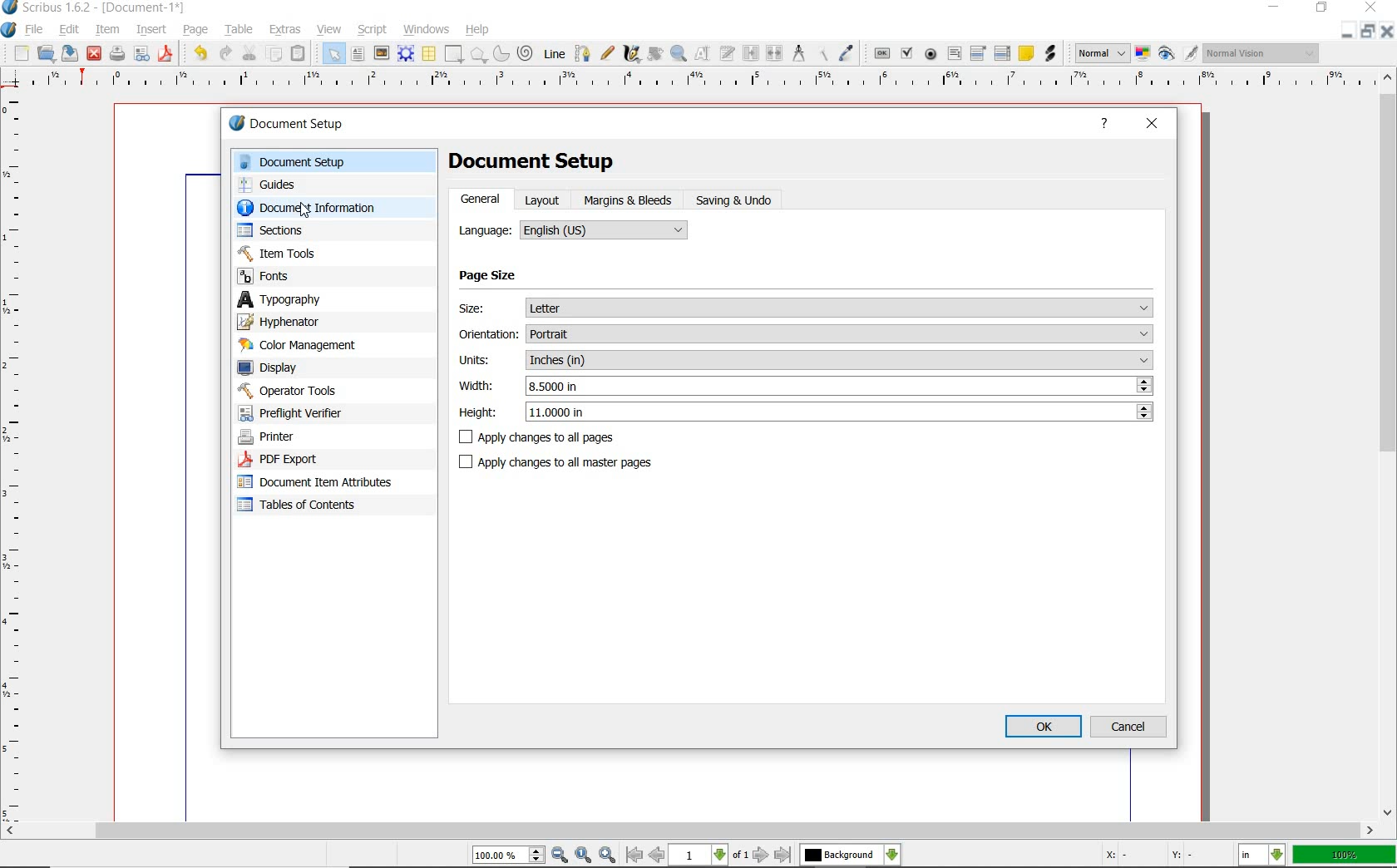 Image resolution: width=1397 pixels, height=868 pixels. I want to click on table, so click(239, 29).